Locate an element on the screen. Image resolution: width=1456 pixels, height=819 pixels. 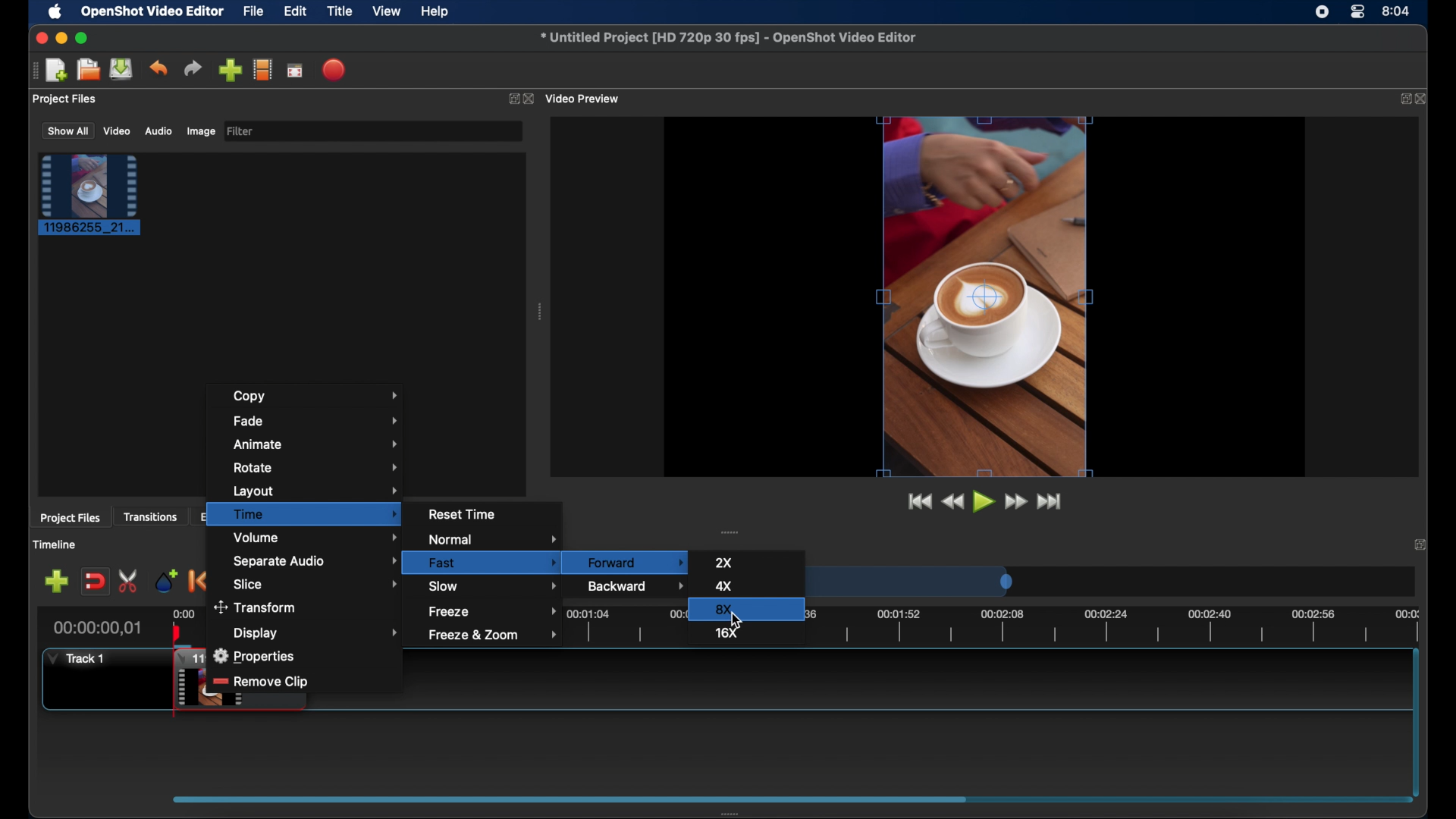
image is located at coordinates (200, 131).